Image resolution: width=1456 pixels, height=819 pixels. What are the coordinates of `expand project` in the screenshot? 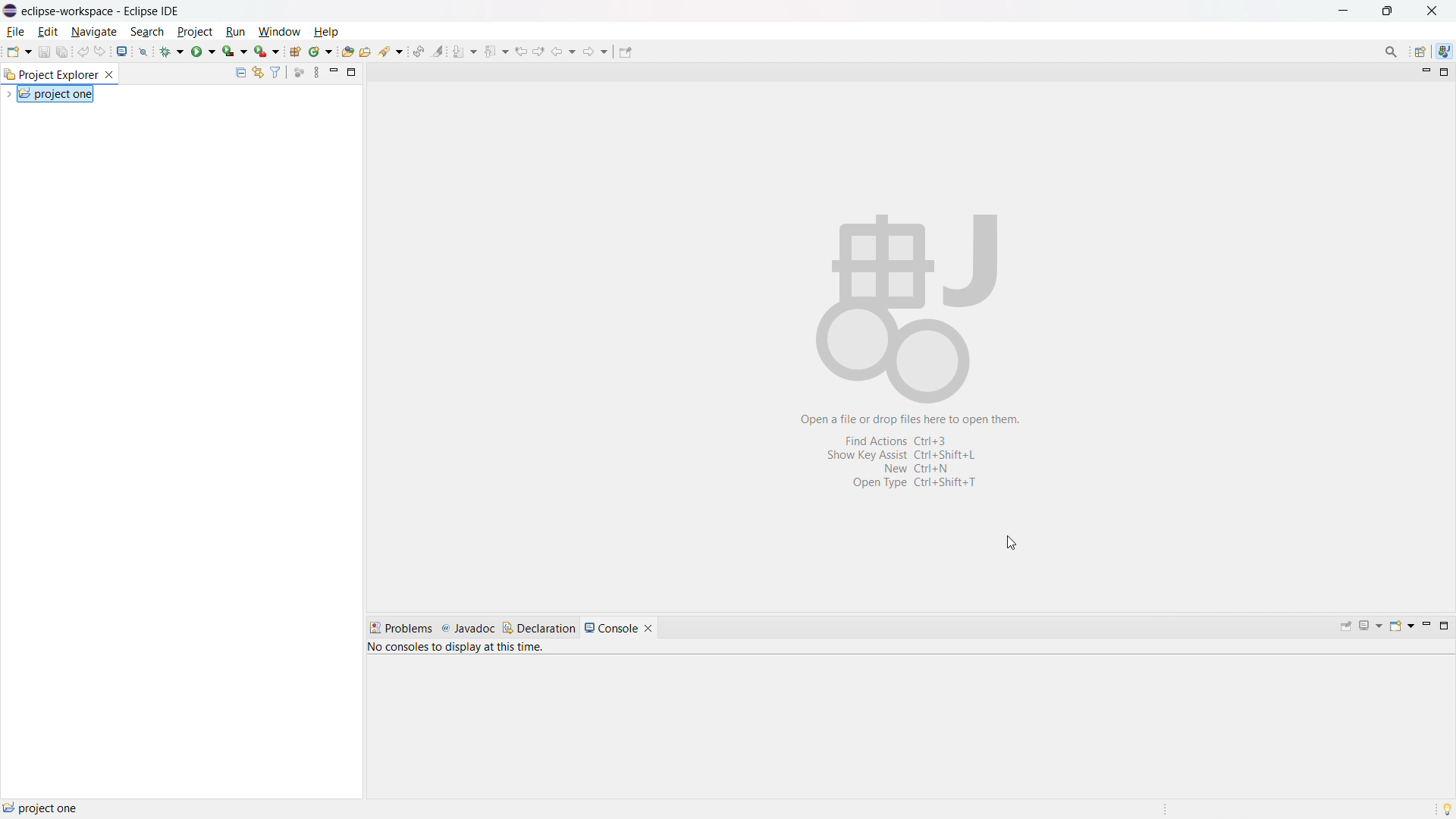 It's located at (9, 94).